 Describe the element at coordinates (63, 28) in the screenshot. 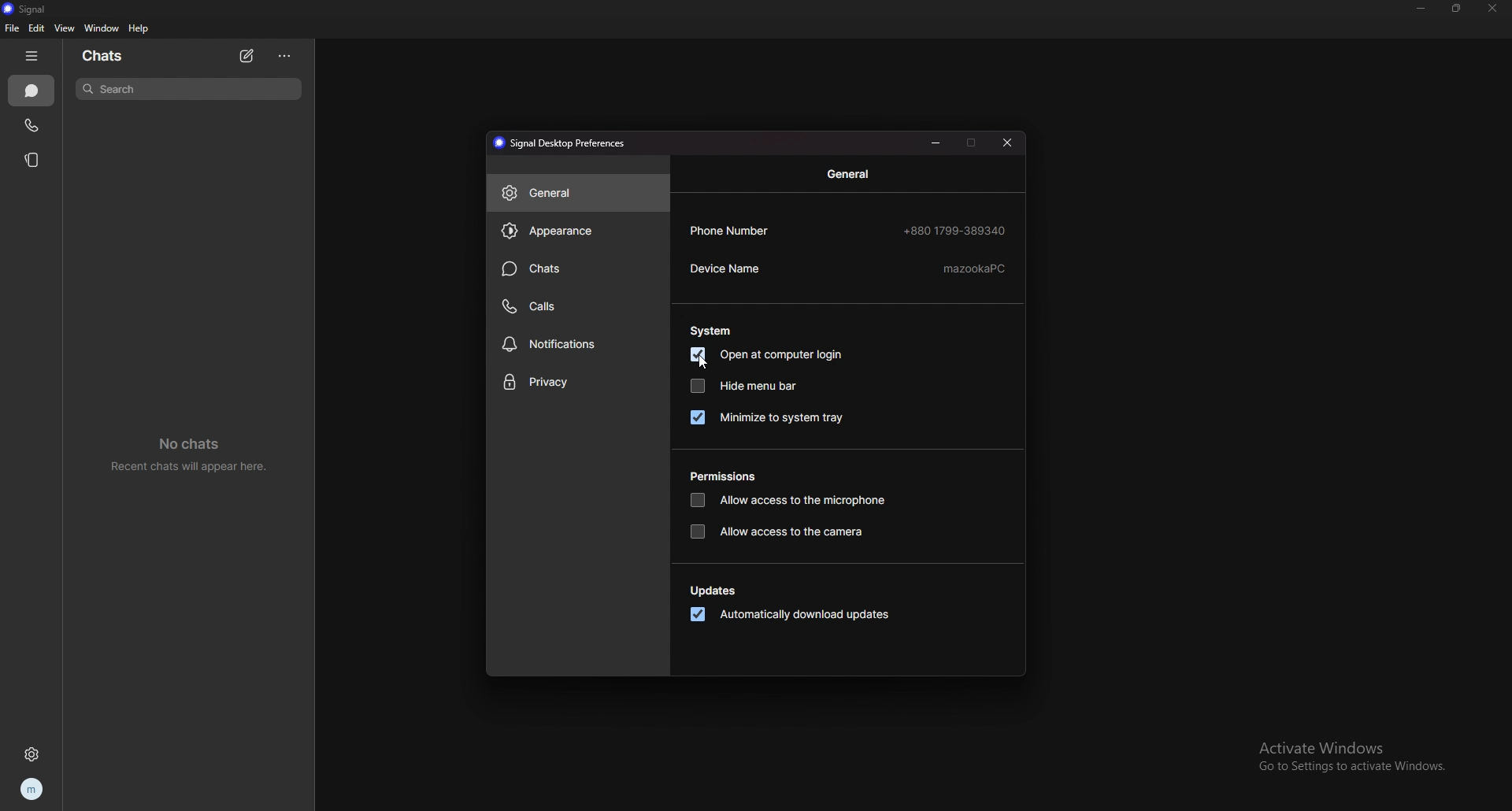

I see `view` at that location.